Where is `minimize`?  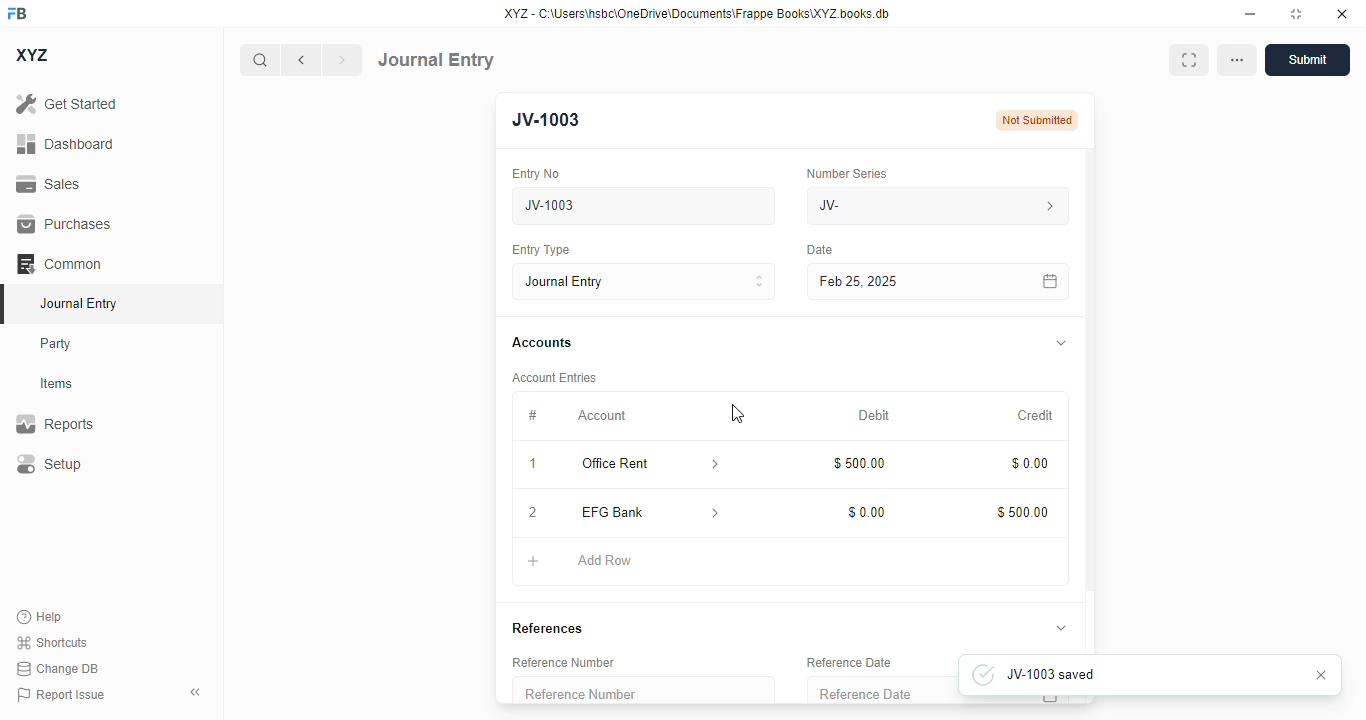 minimize is located at coordinates (1251, 13).